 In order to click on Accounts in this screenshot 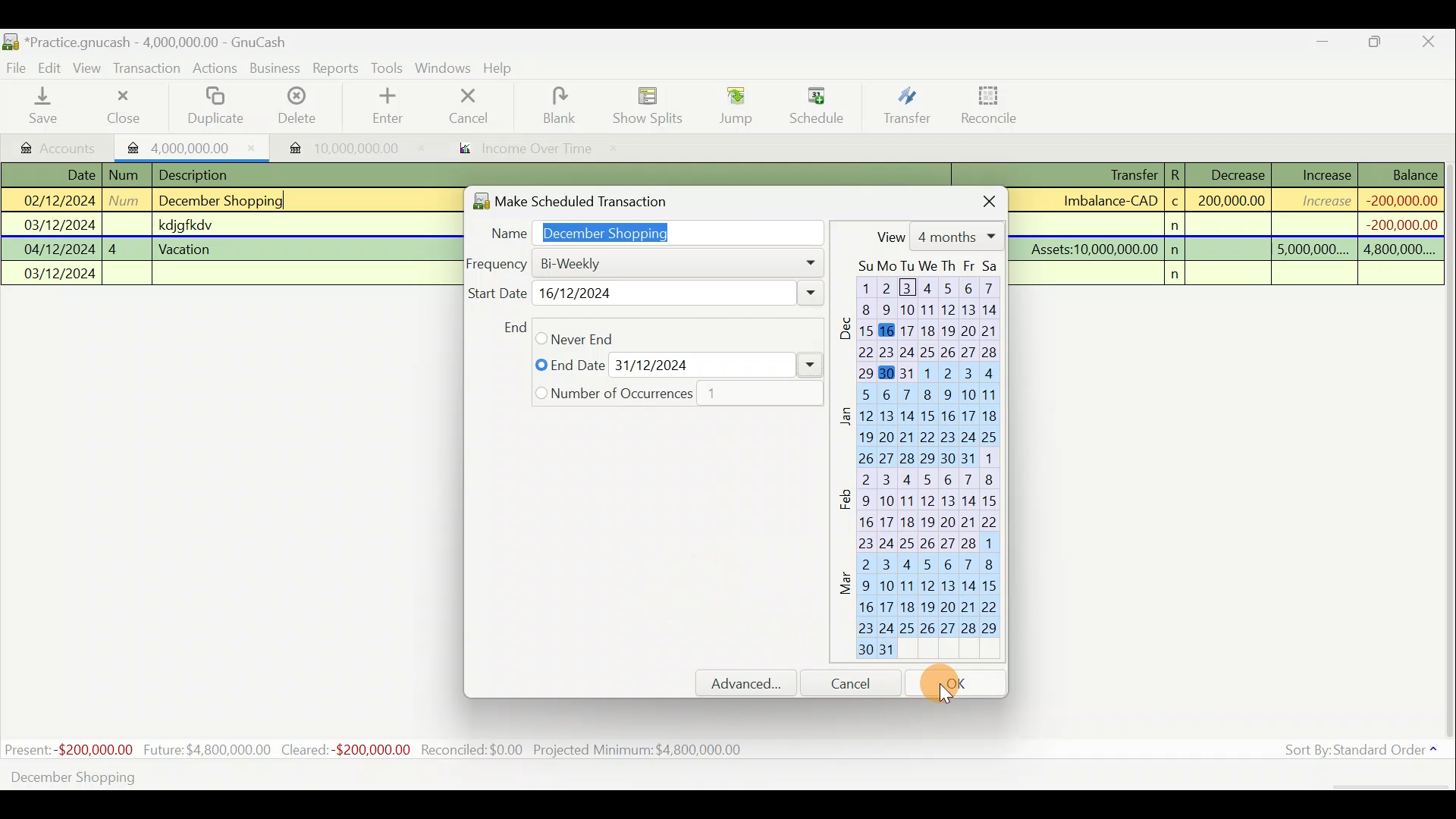, I will do `click(60, 146)`.